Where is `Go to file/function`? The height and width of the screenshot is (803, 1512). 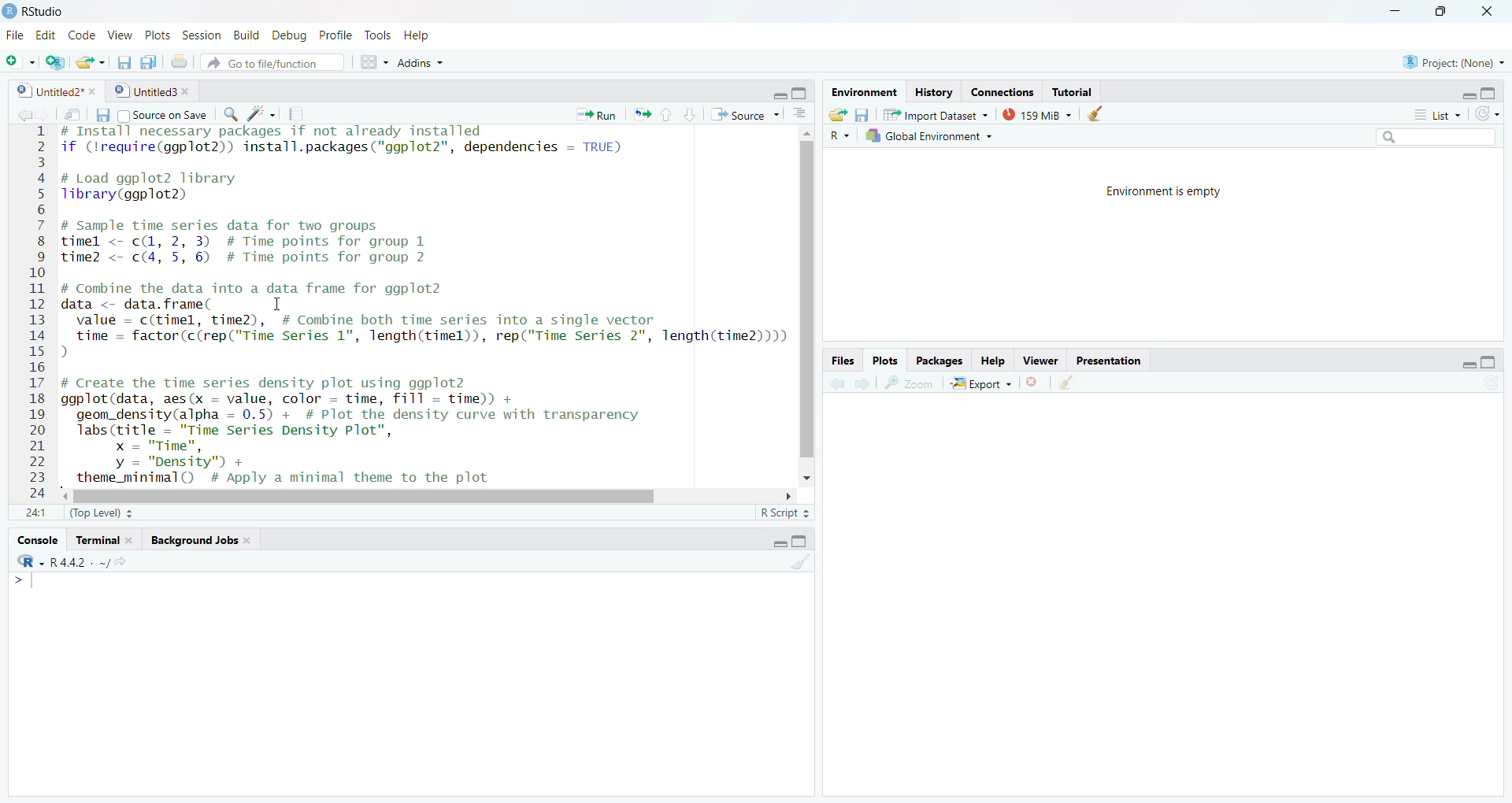
Go to file/function is located at coordinates (274, 63).